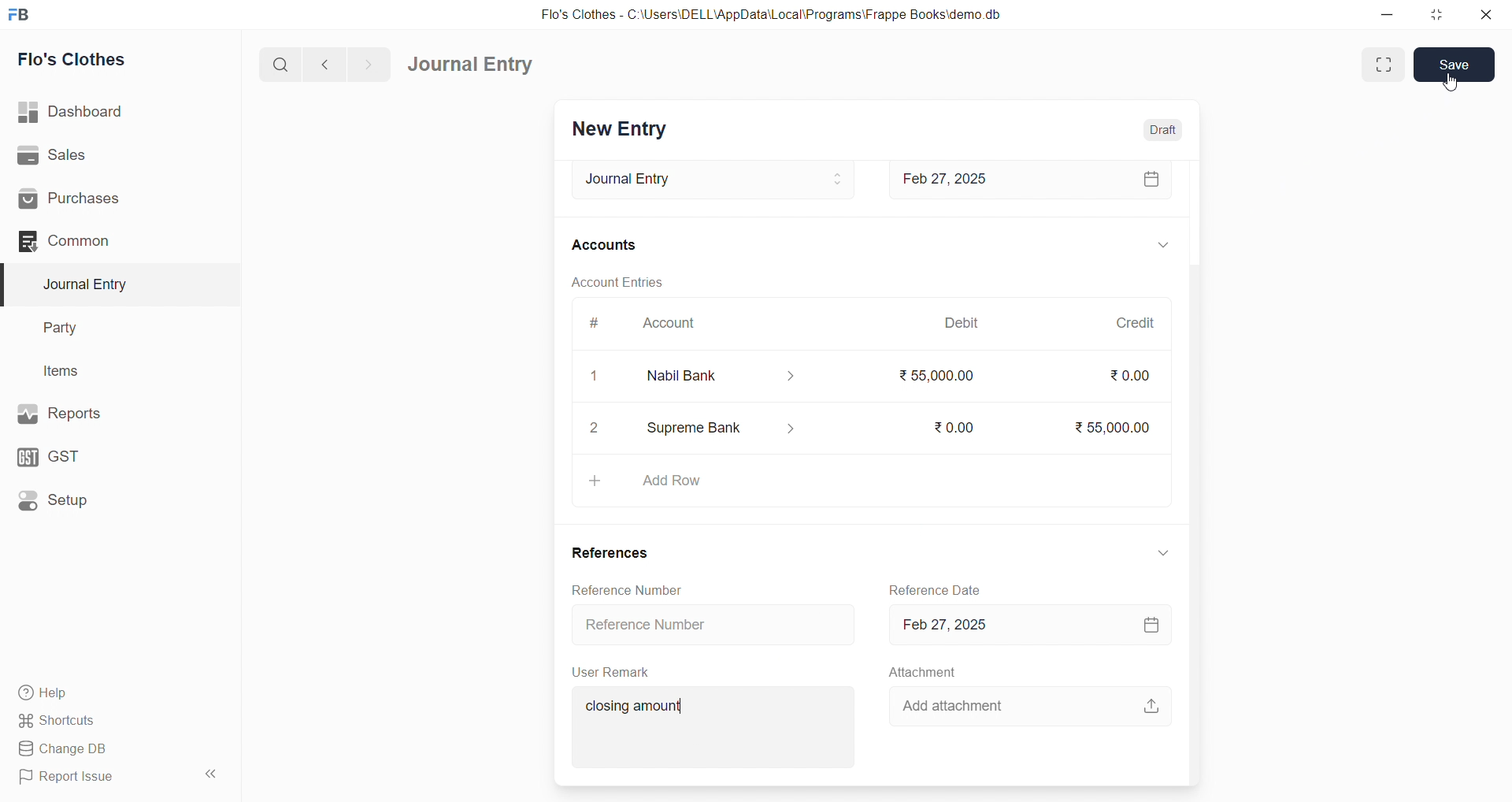 Image resolution: width=1512 pixels, height=802 pixels. I want to click on EXPAND/COLLAPSE, so click(1164, 553).